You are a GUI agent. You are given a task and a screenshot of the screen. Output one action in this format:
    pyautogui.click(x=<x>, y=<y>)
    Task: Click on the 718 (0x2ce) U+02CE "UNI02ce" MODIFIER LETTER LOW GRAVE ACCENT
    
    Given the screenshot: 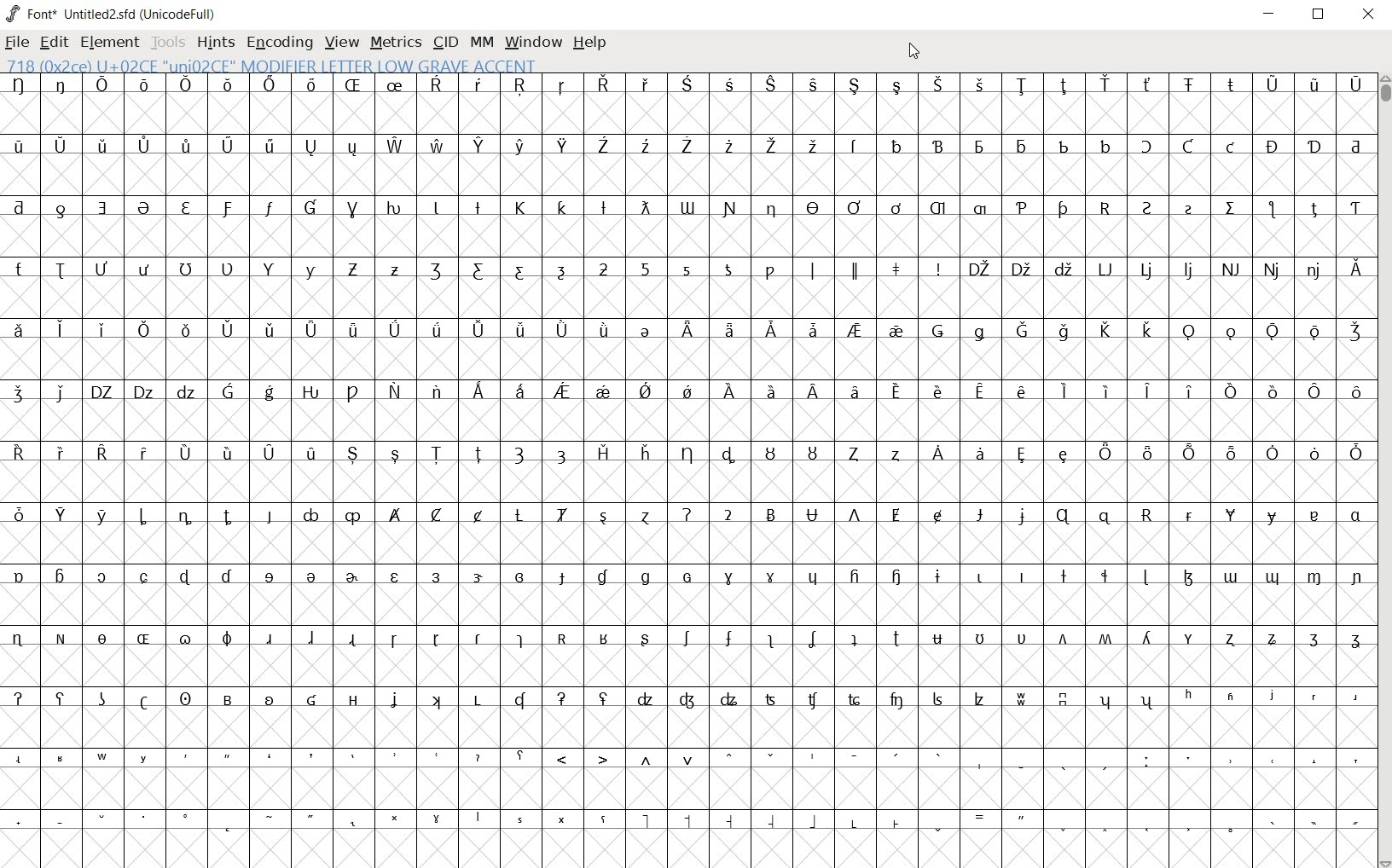 What is the action you would take?
    pyautogui.click(x=274, y=66)
    